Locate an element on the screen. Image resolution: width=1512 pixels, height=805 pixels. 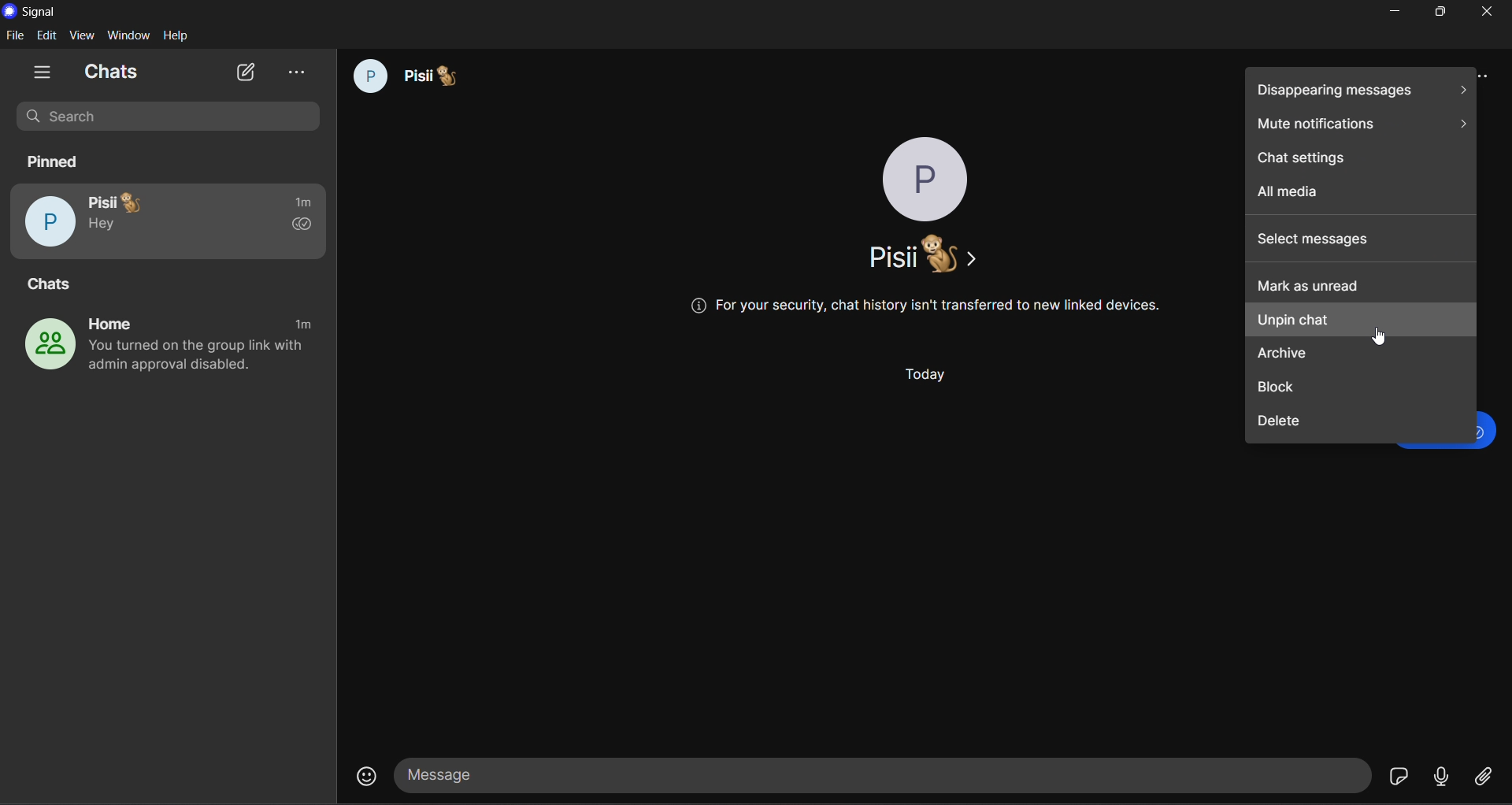
block is located at coordinates (1362, 388).